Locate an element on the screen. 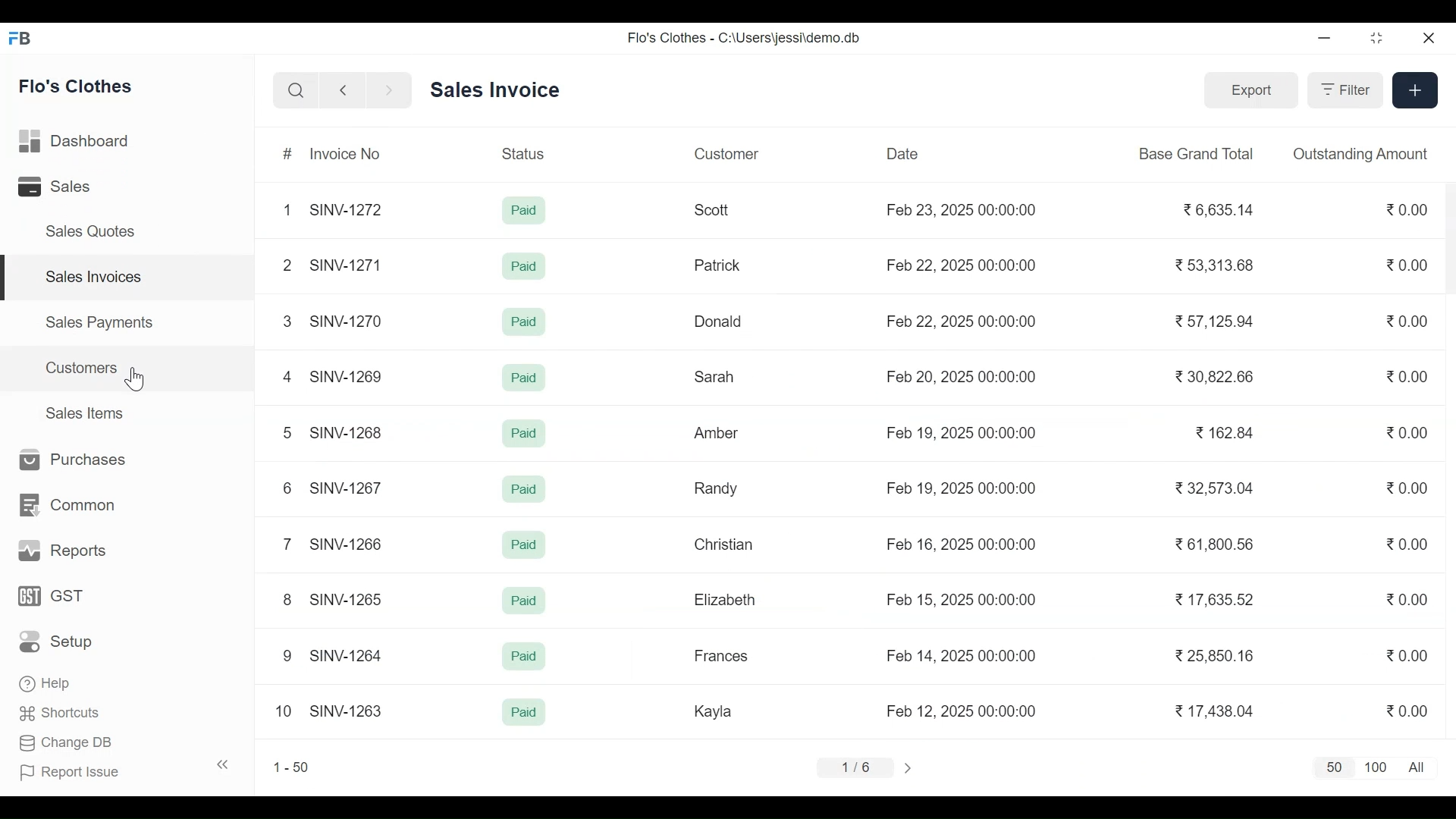  Frances is located at coordinates (719, 654).